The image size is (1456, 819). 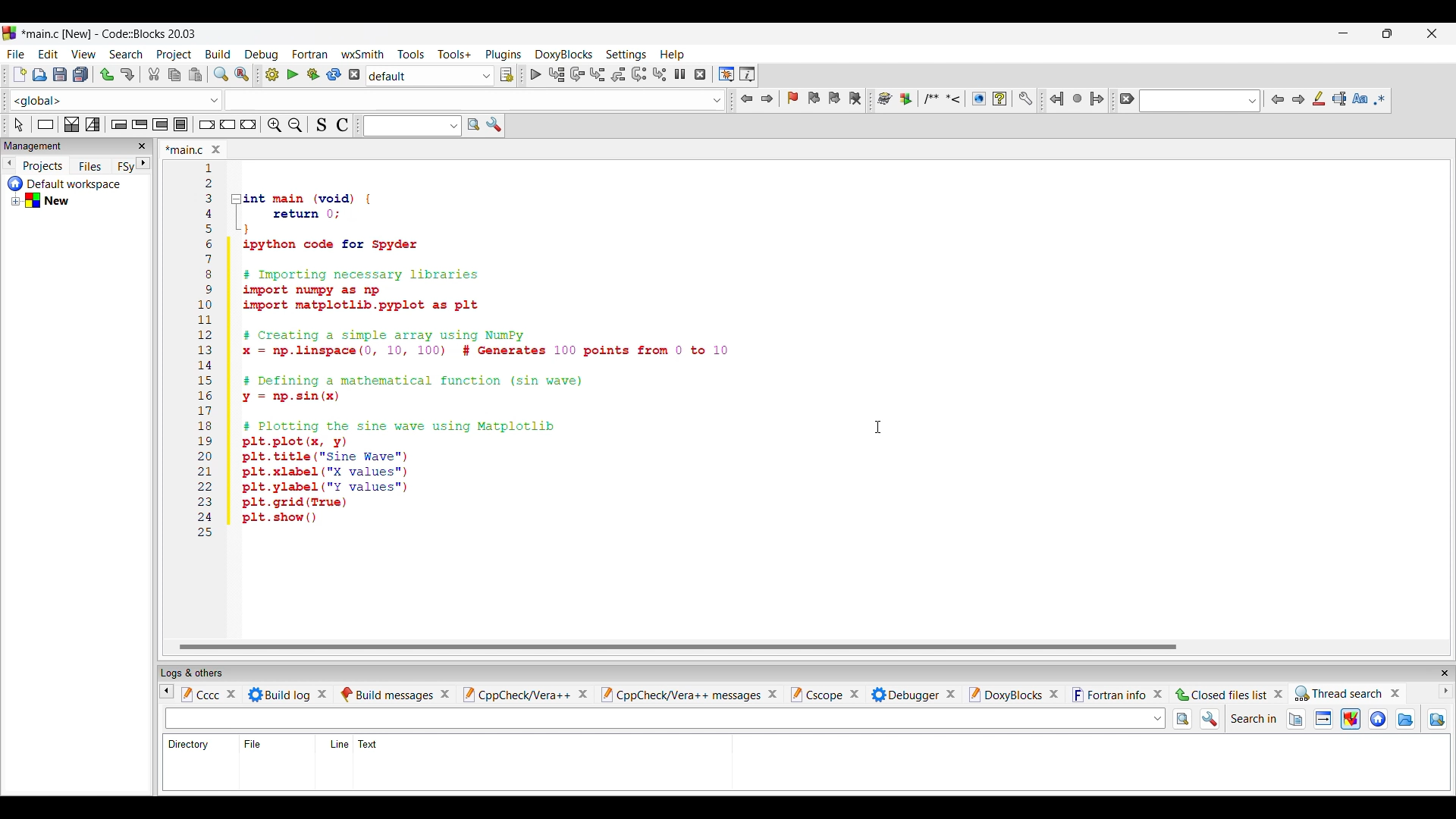 I want to click on abort, so click(x=356, y=74).